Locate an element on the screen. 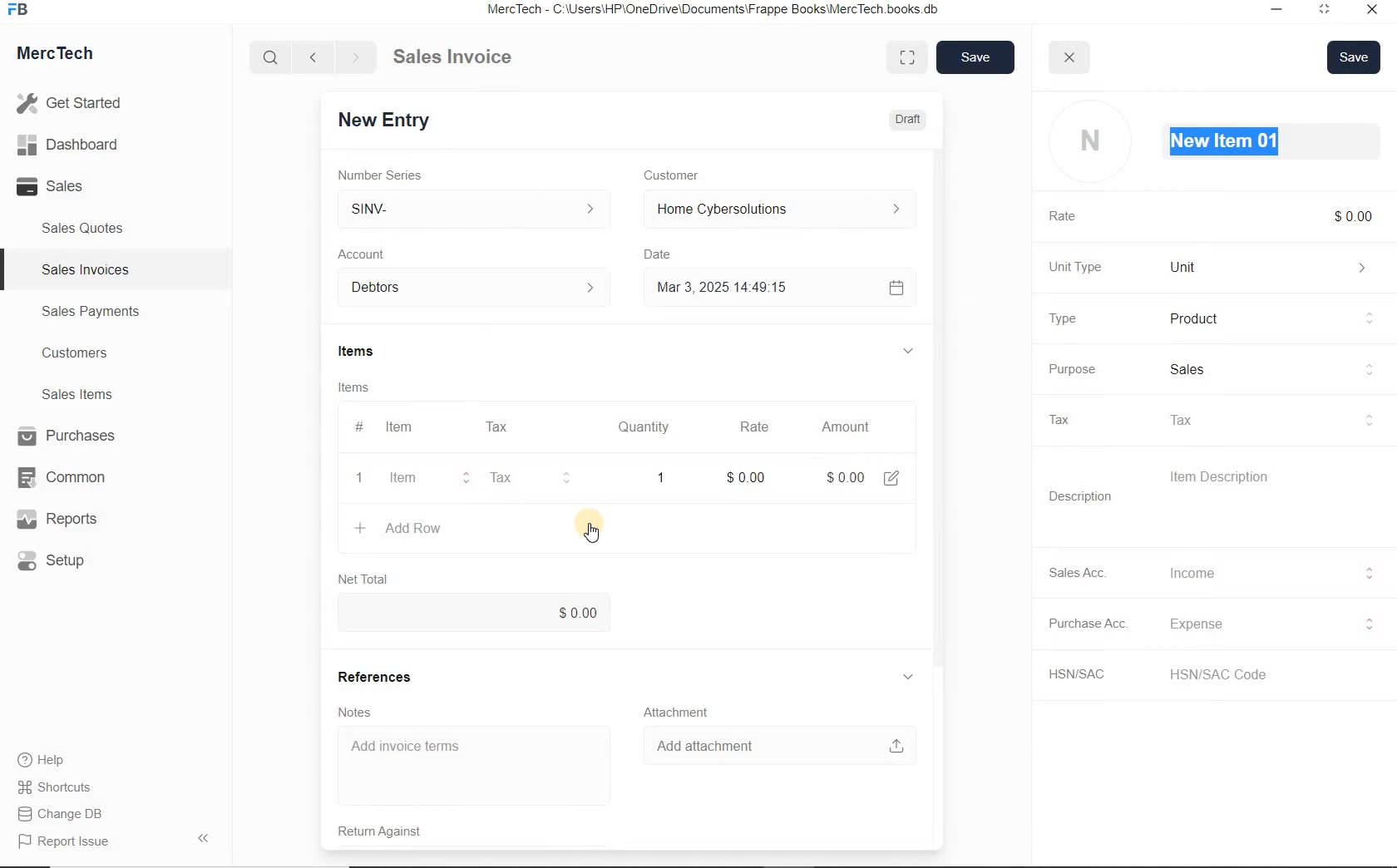 This screenshot has height=868, width=1397. Quantity is located at coordinates (644, 427).